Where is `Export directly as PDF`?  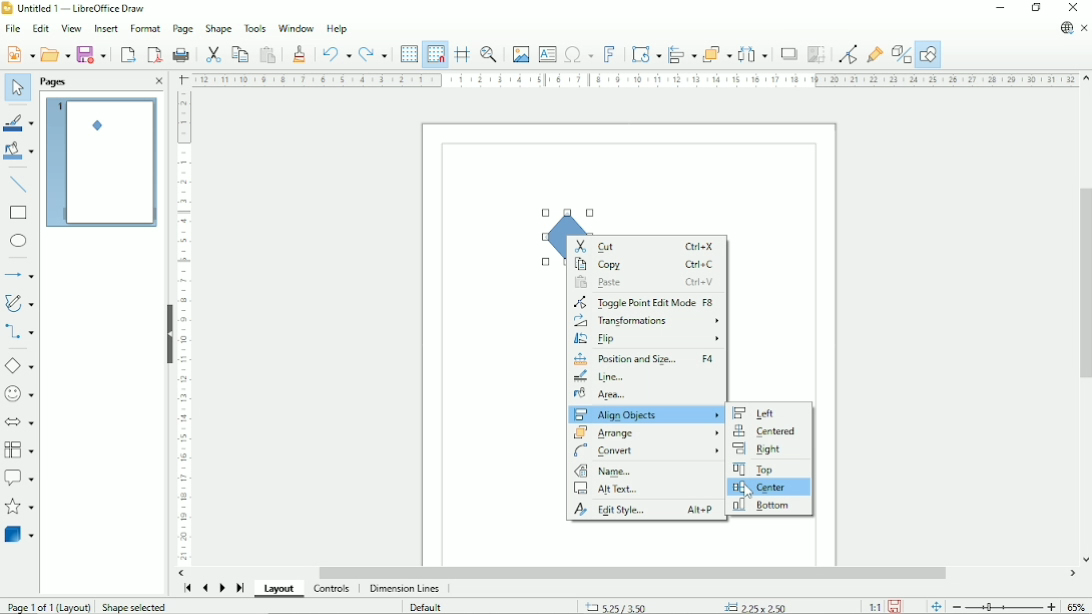 Export directly as PDF is located at coordinates (152, 54).